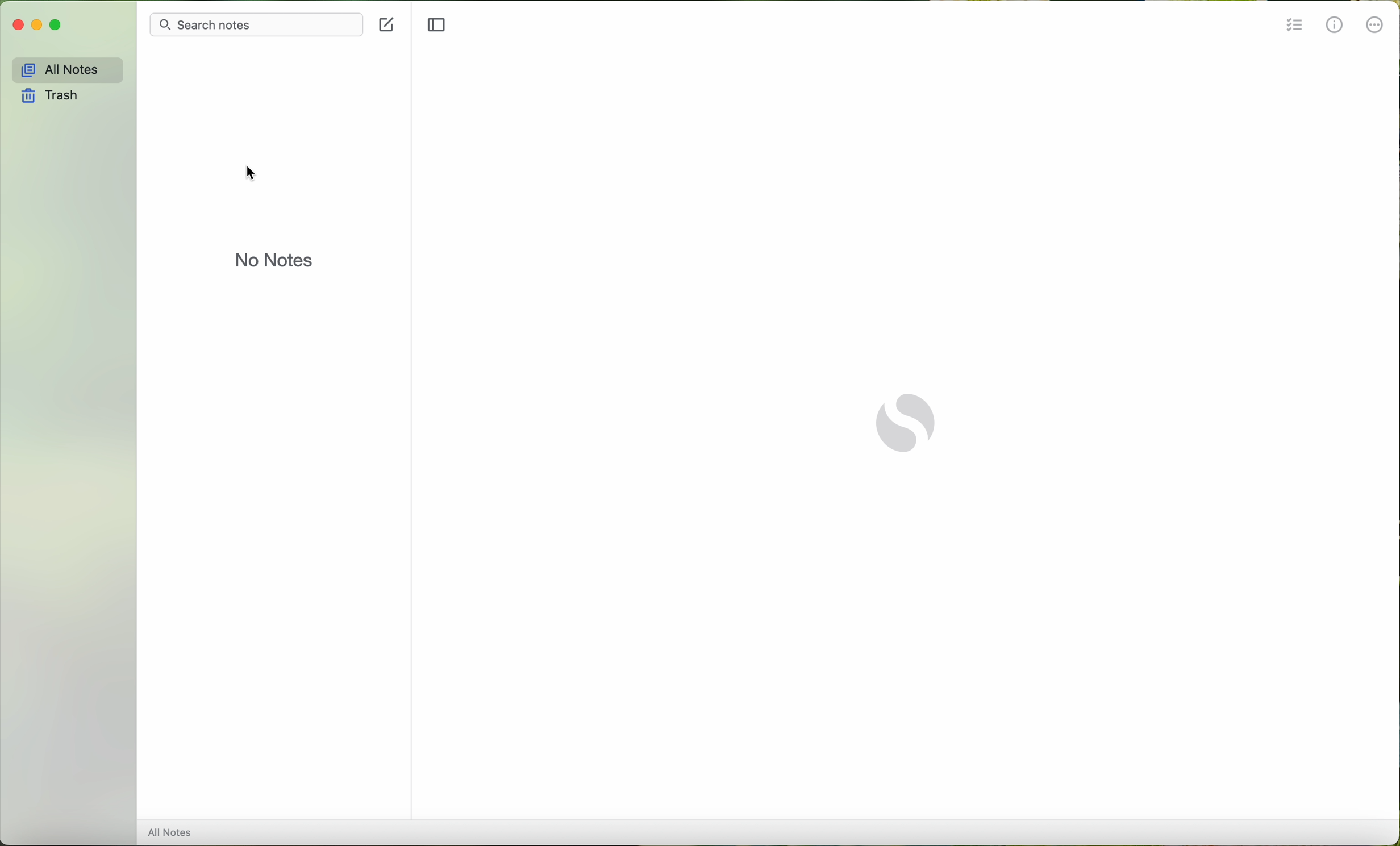  Describe the element at coordinates (37, 24) in the screenshot. I see `minimize Simplenote` at that location.